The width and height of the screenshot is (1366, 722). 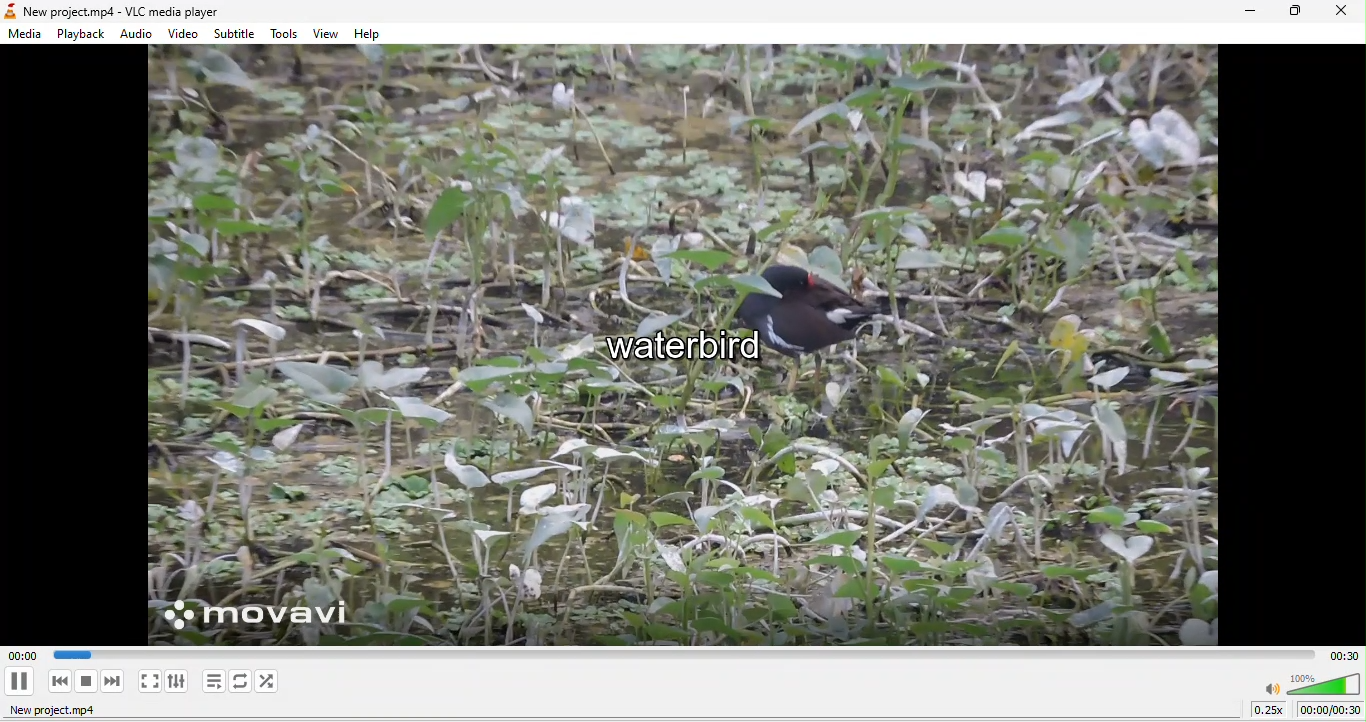 What do you see at coordinates (212, 682) in the screenshot?
I see `toggle playlist` at bounding box center [212, 682].